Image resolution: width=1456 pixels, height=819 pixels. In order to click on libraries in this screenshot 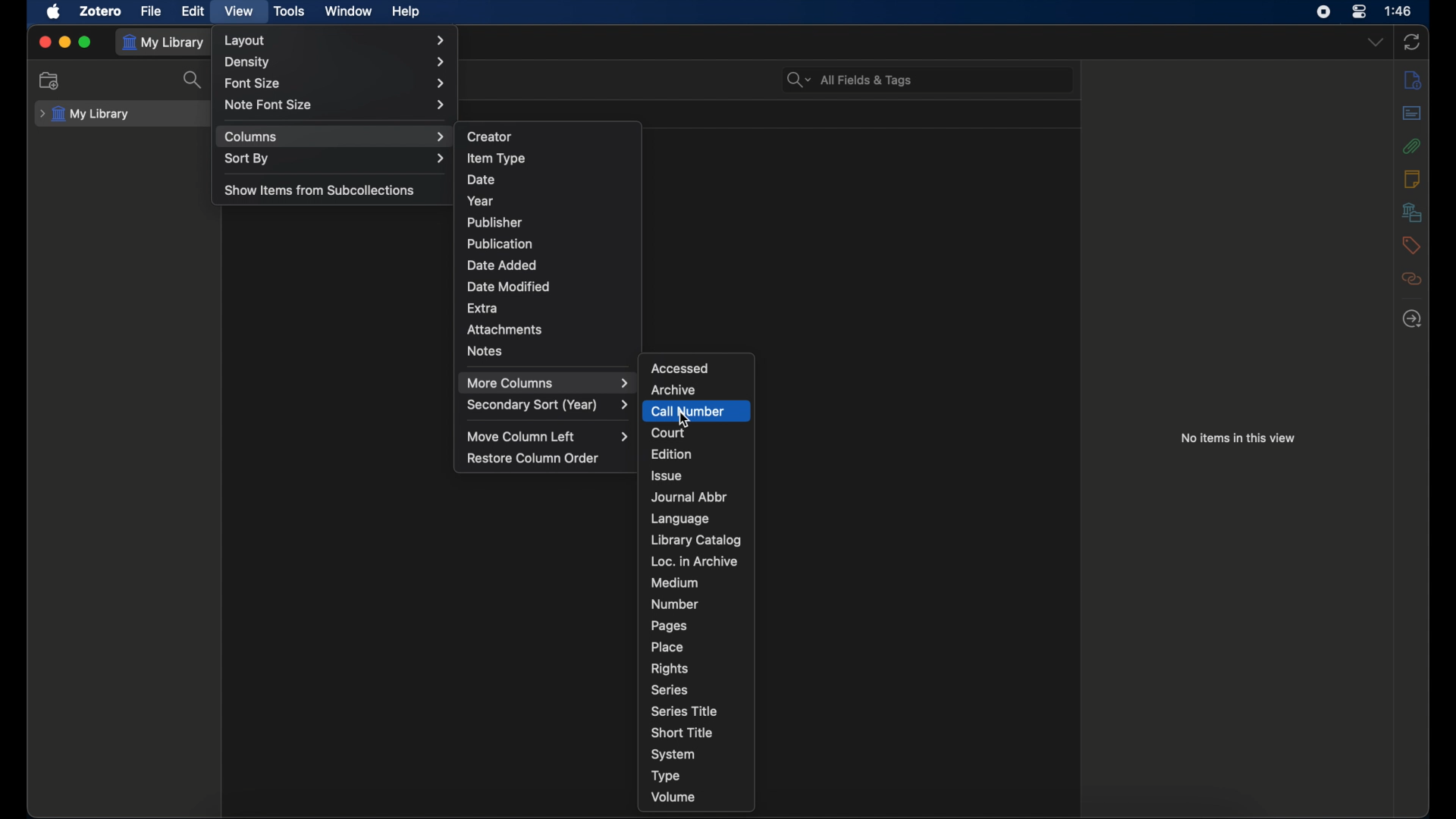, I will do `click(1412, 212)`.